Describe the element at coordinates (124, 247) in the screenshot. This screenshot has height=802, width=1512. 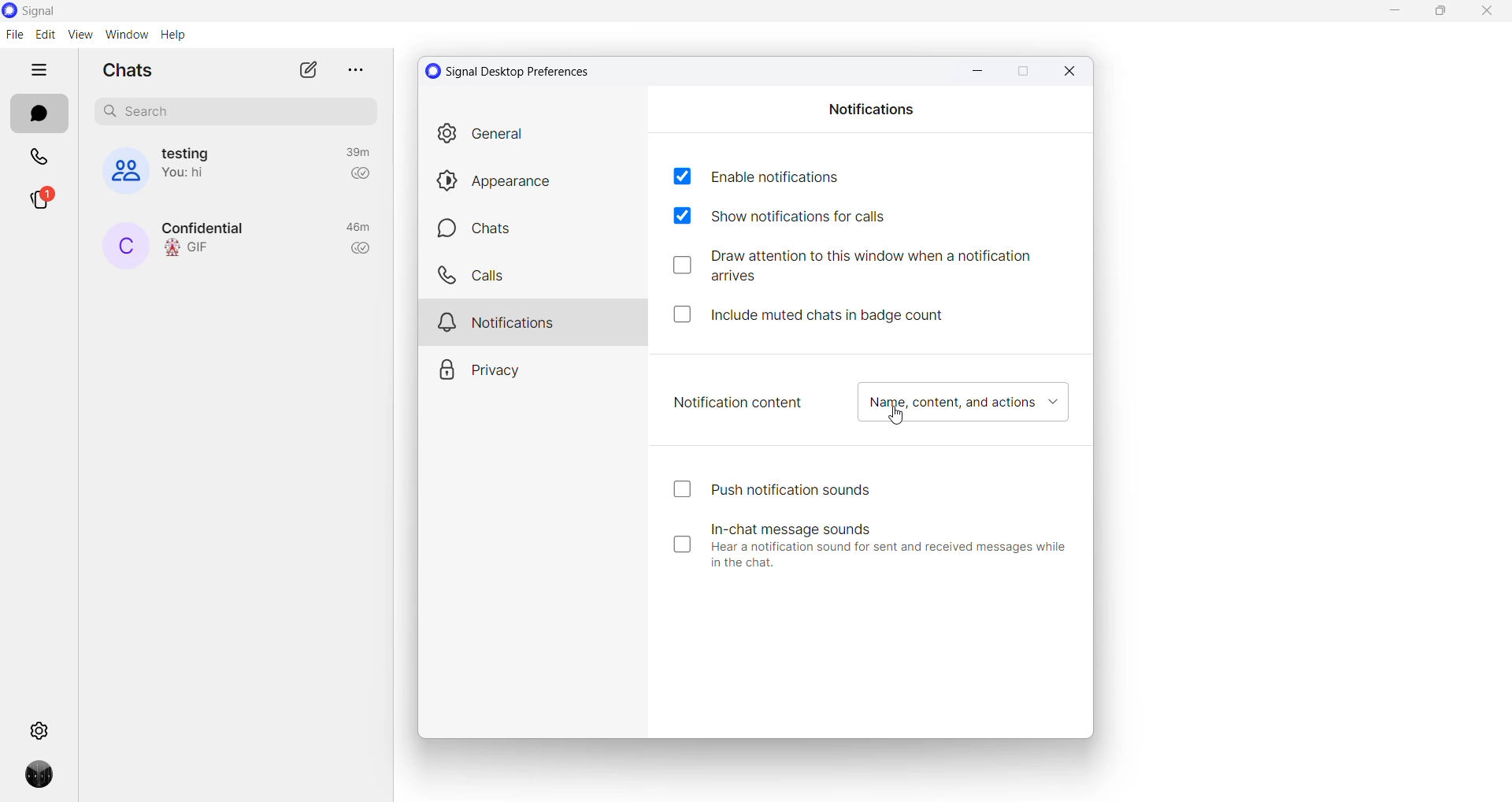
I see `contact name` at that location.